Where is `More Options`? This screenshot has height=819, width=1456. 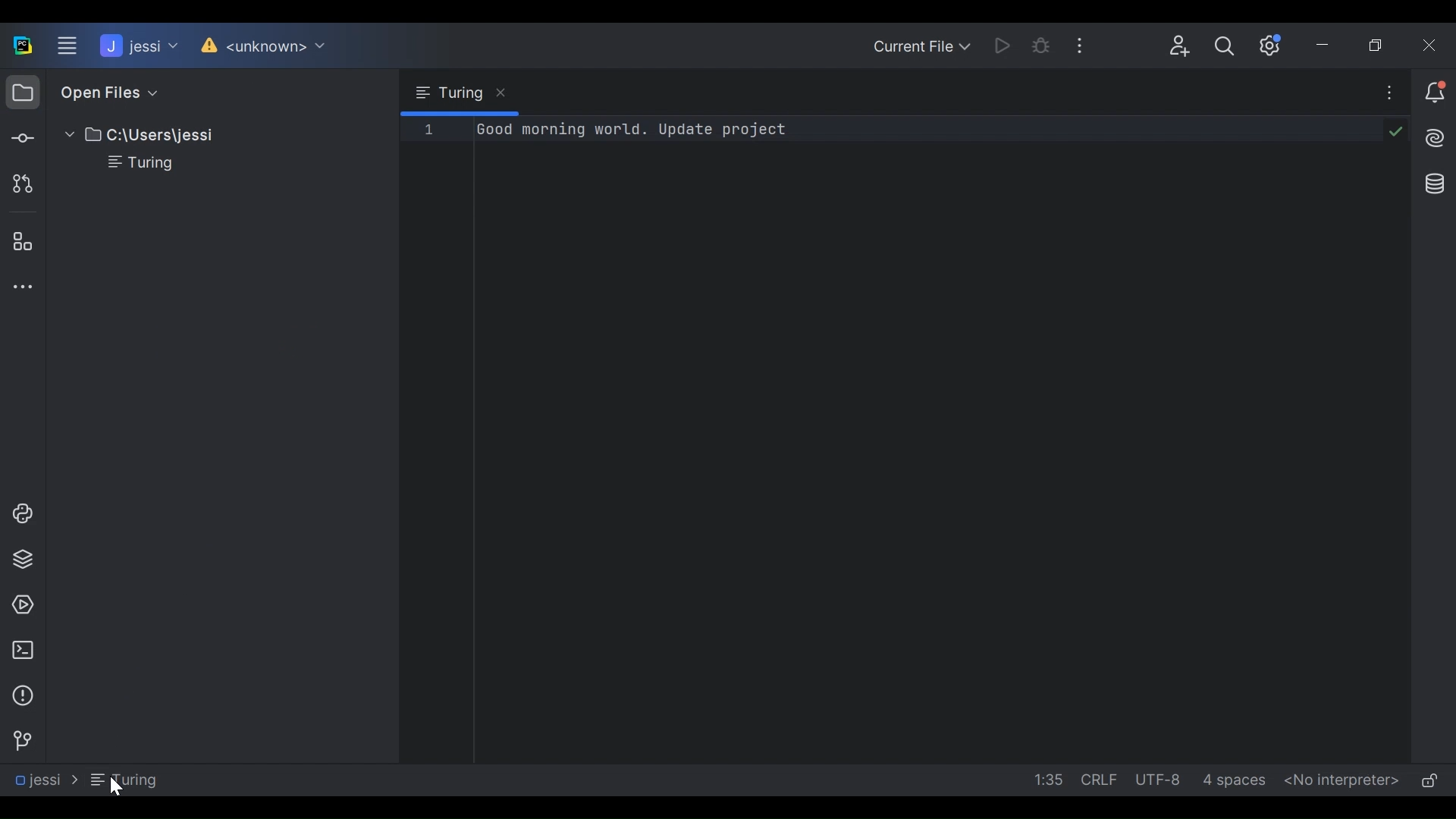 More Options is located at coordinates (1084, 42).